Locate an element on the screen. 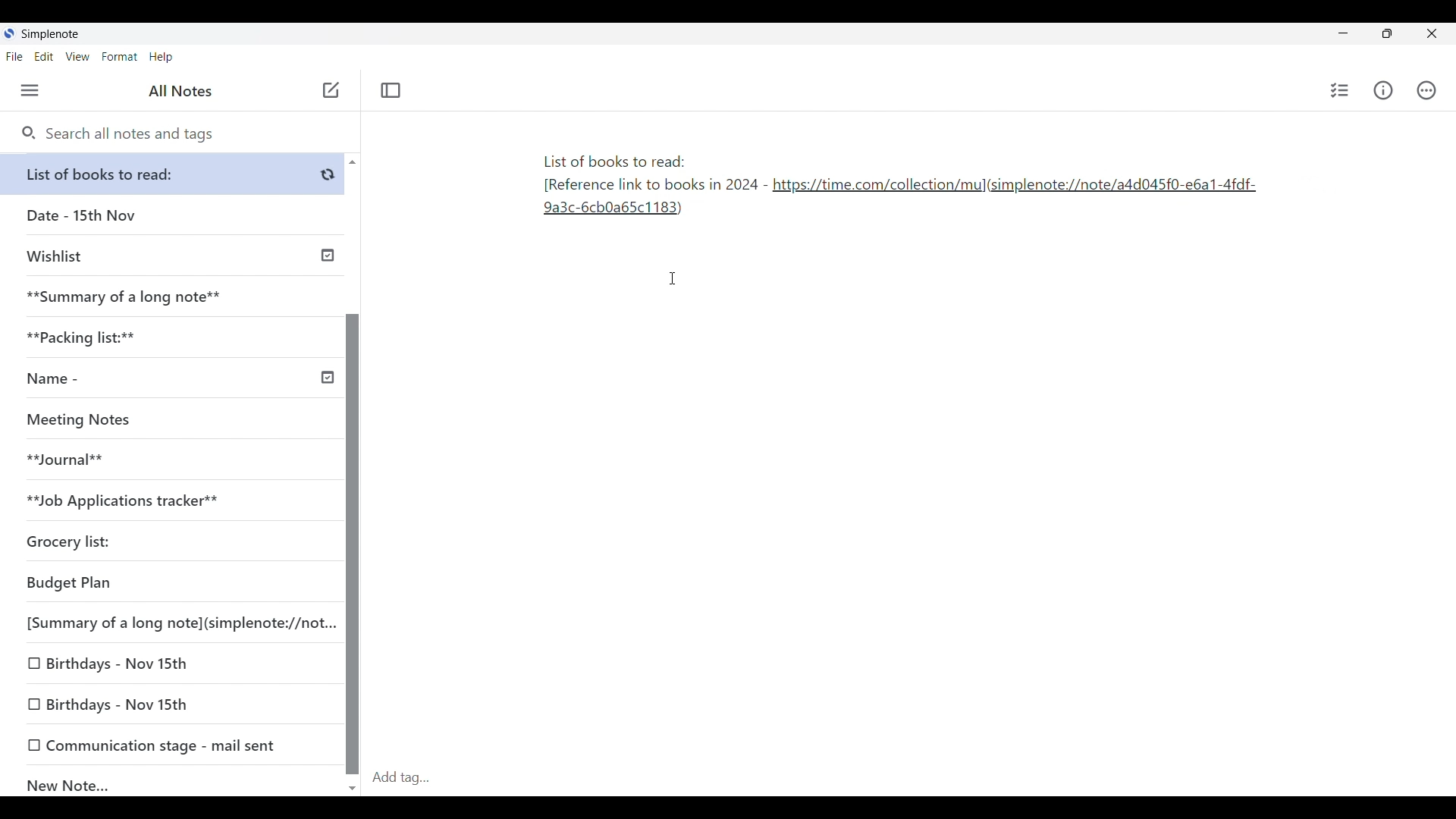  Cursor is located at coordinates (674, 278).